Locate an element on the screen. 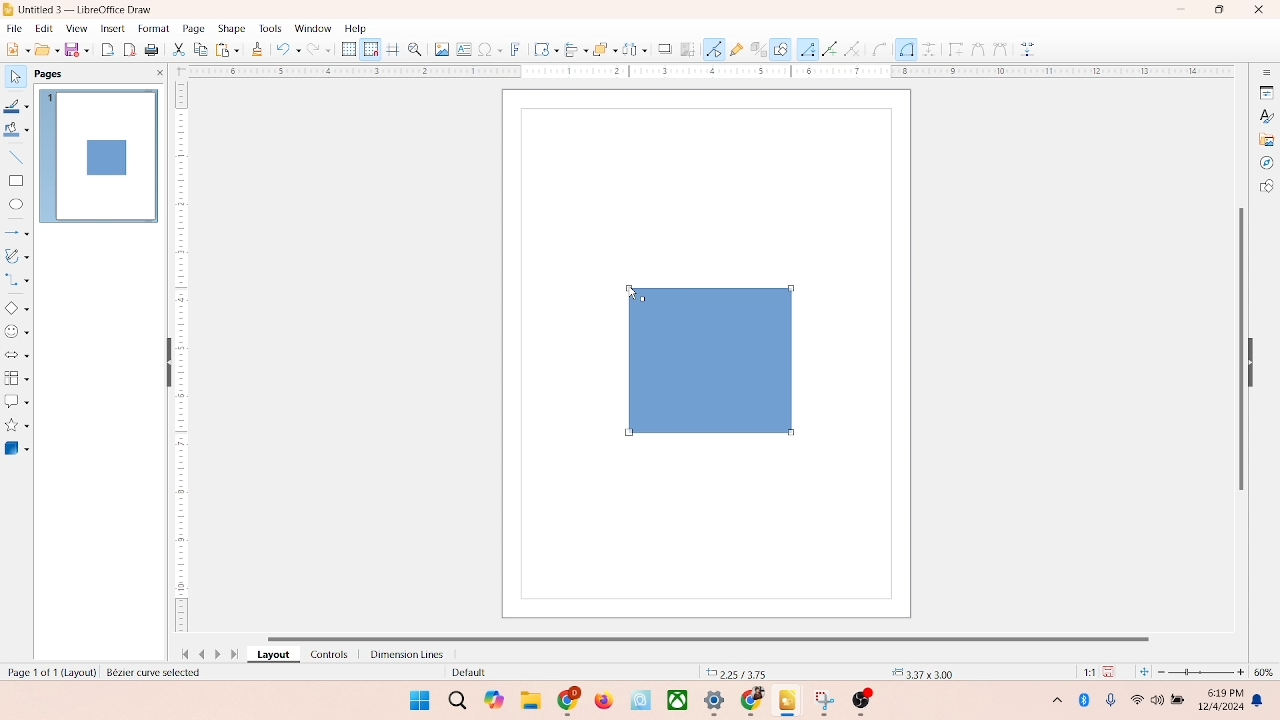 The height and width of the screenshot is (720, 1280). print is located at coordinates (154, 51).